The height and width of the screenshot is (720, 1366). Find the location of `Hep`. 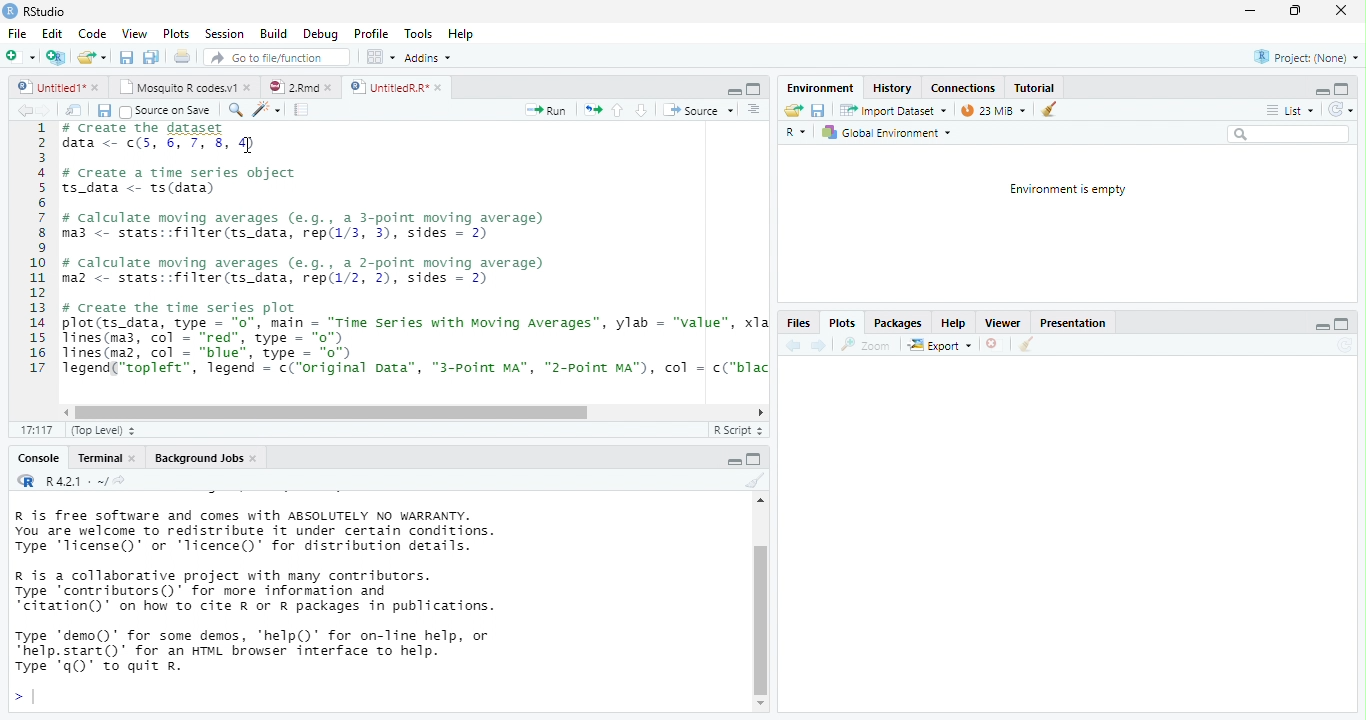

Hep is located at coordinates (460, 34).